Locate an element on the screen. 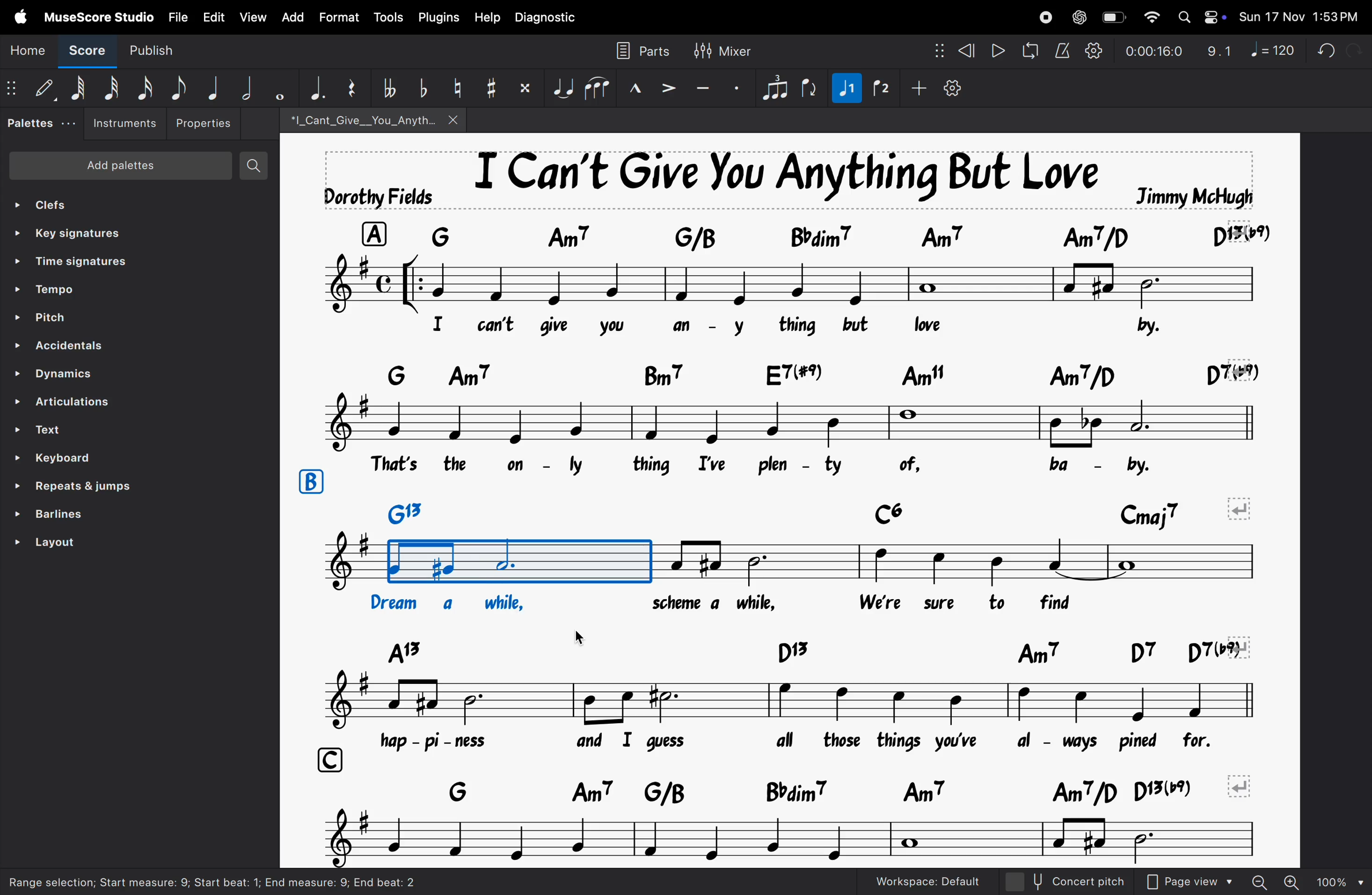 The image size is (1372, 895). parts is located at coordinates (644, 48).